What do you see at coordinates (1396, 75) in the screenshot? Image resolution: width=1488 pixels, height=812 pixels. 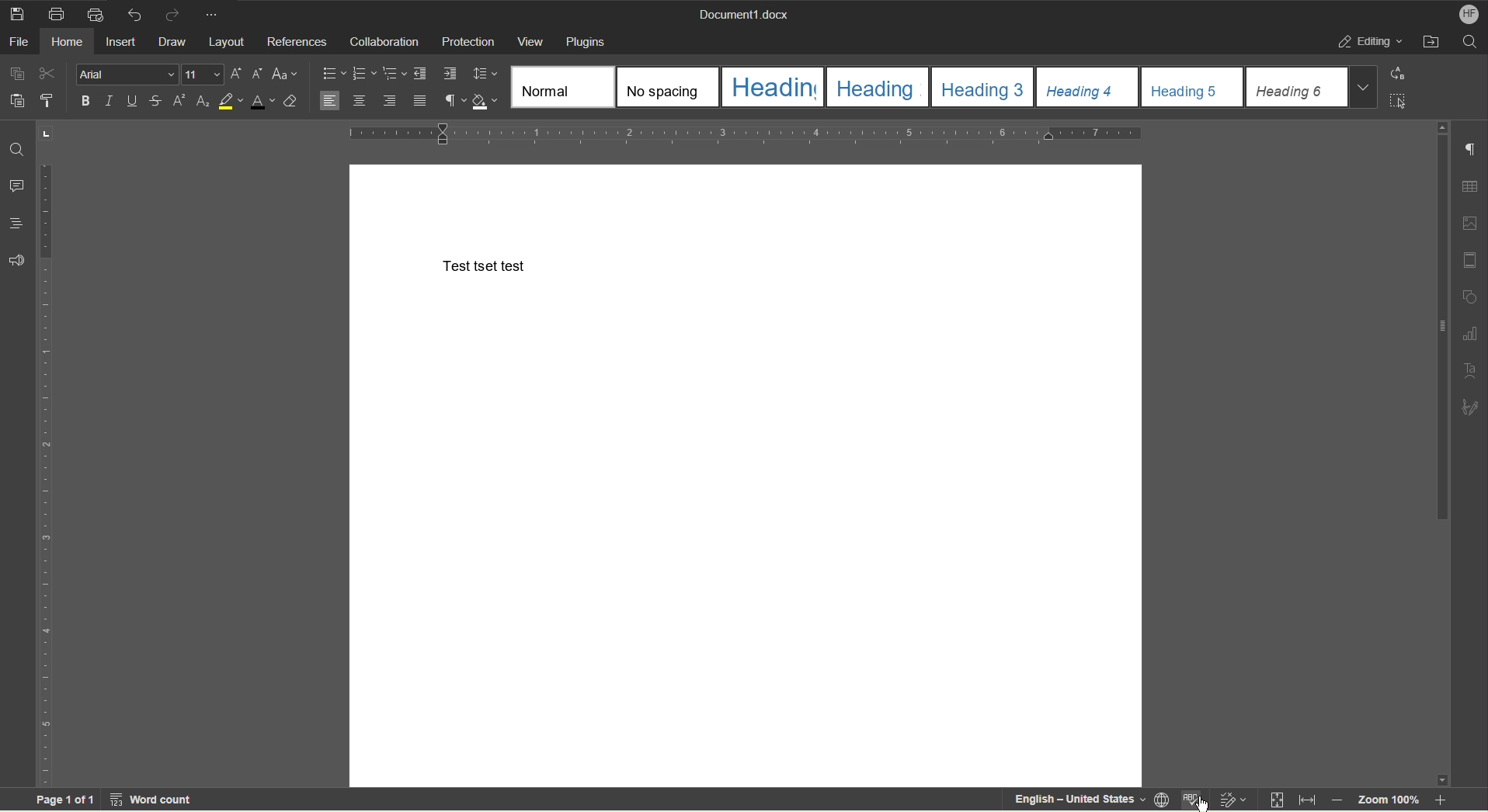 I see `Replace` at bounding box center [1396, 75].